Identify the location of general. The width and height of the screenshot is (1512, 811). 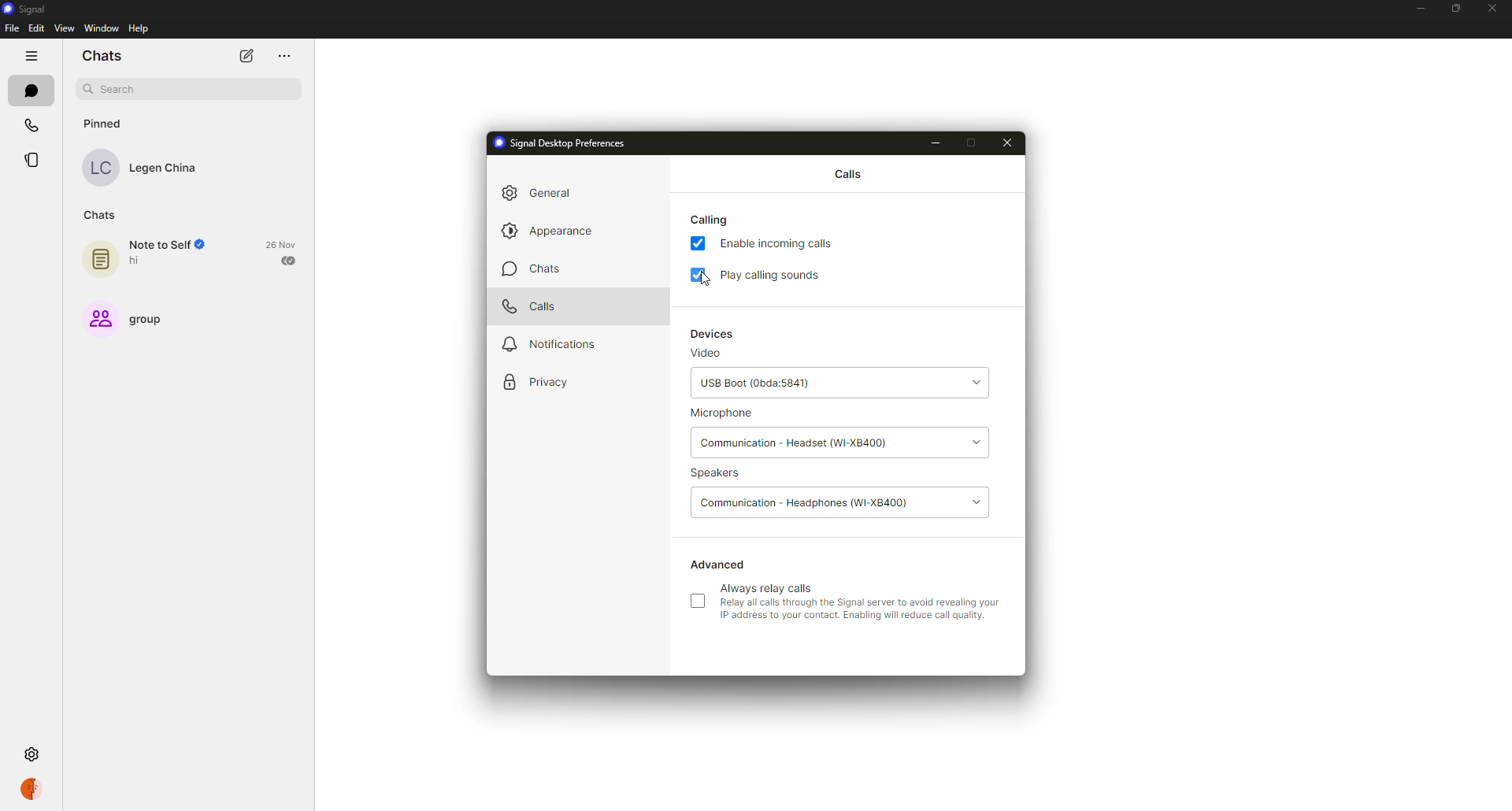
(540, 193).